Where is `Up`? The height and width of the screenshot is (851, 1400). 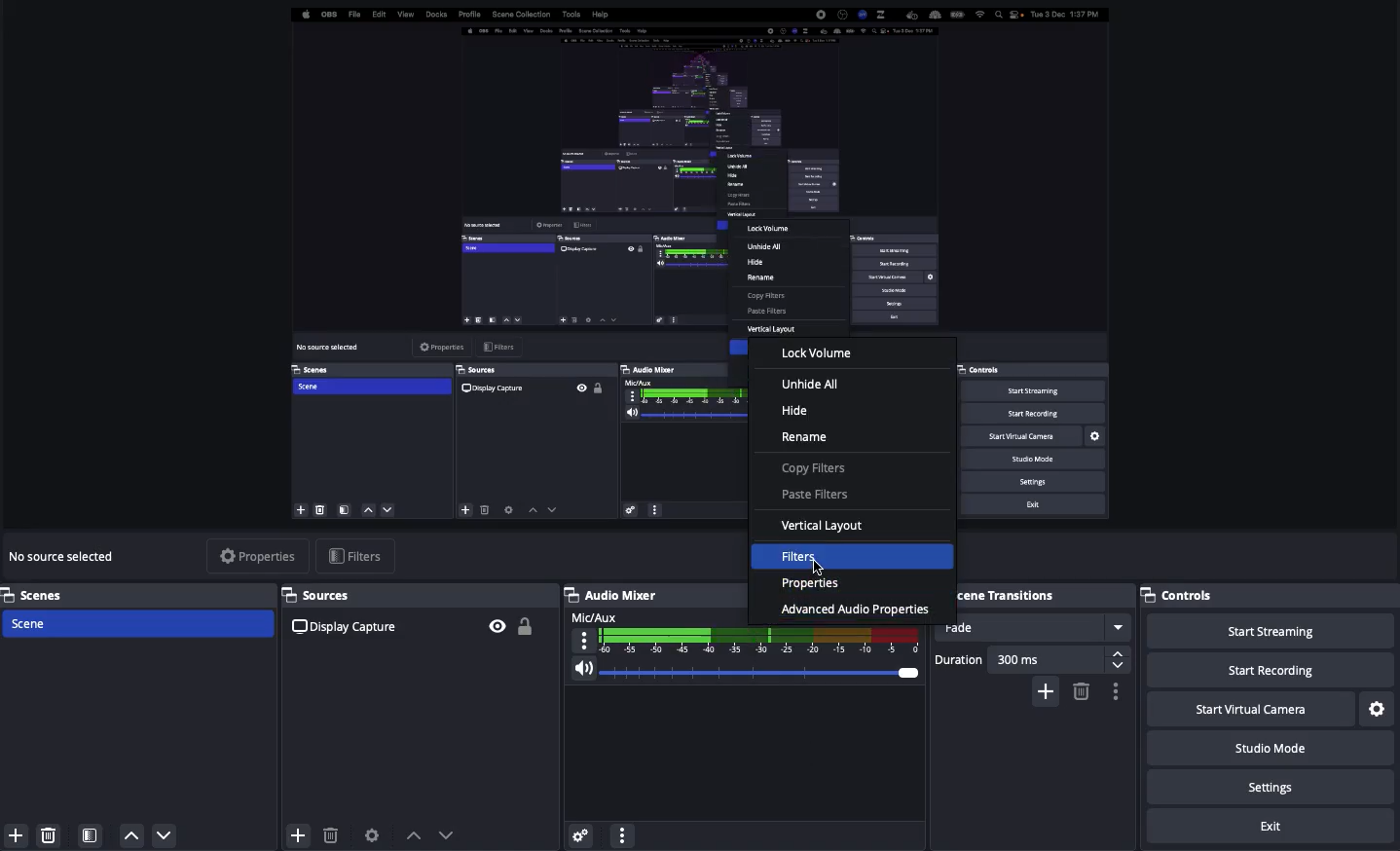 Up is located at coordinates (132, 835).